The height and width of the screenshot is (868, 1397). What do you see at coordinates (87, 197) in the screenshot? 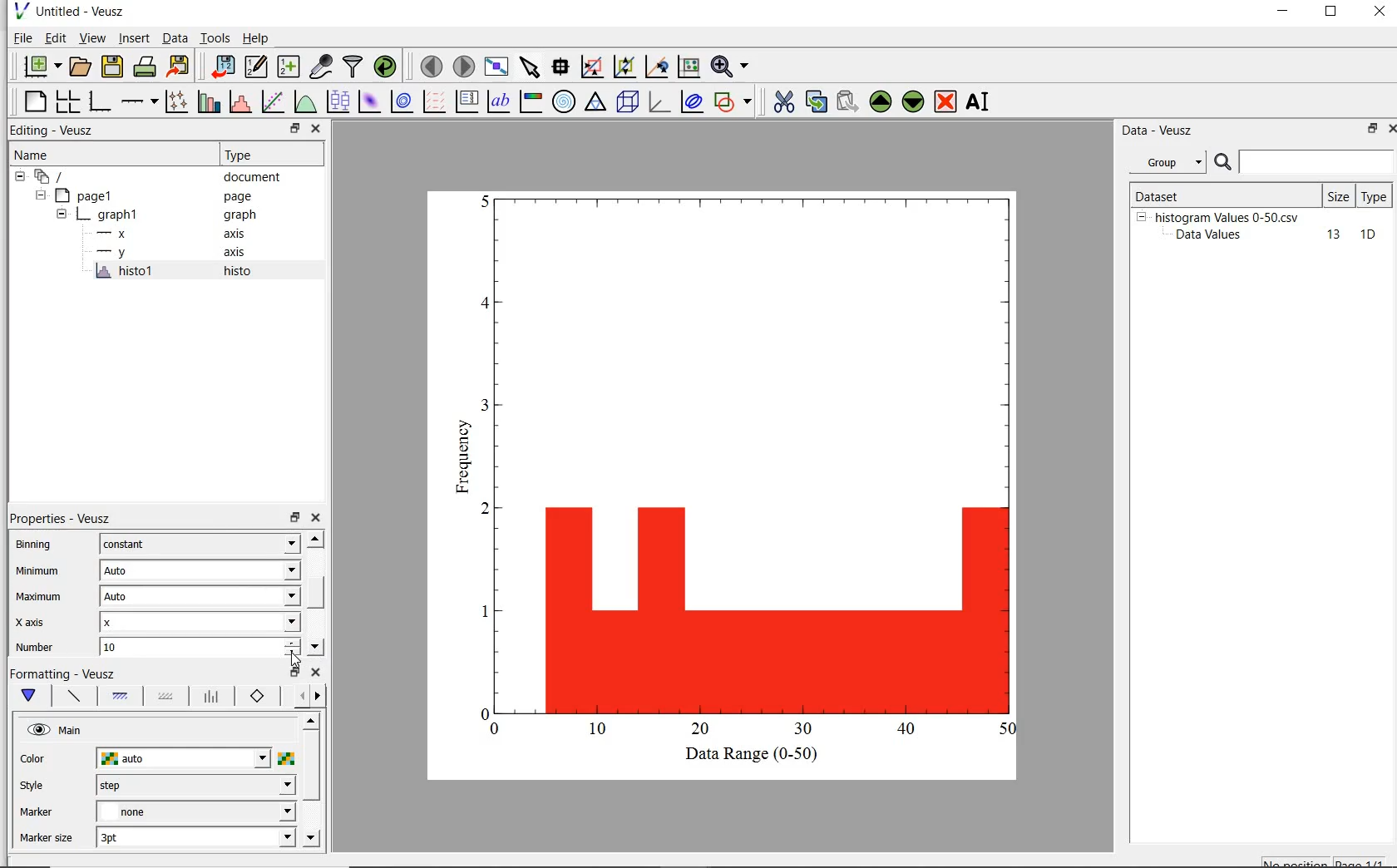
I see `page1` at bounding box center [87, 197].